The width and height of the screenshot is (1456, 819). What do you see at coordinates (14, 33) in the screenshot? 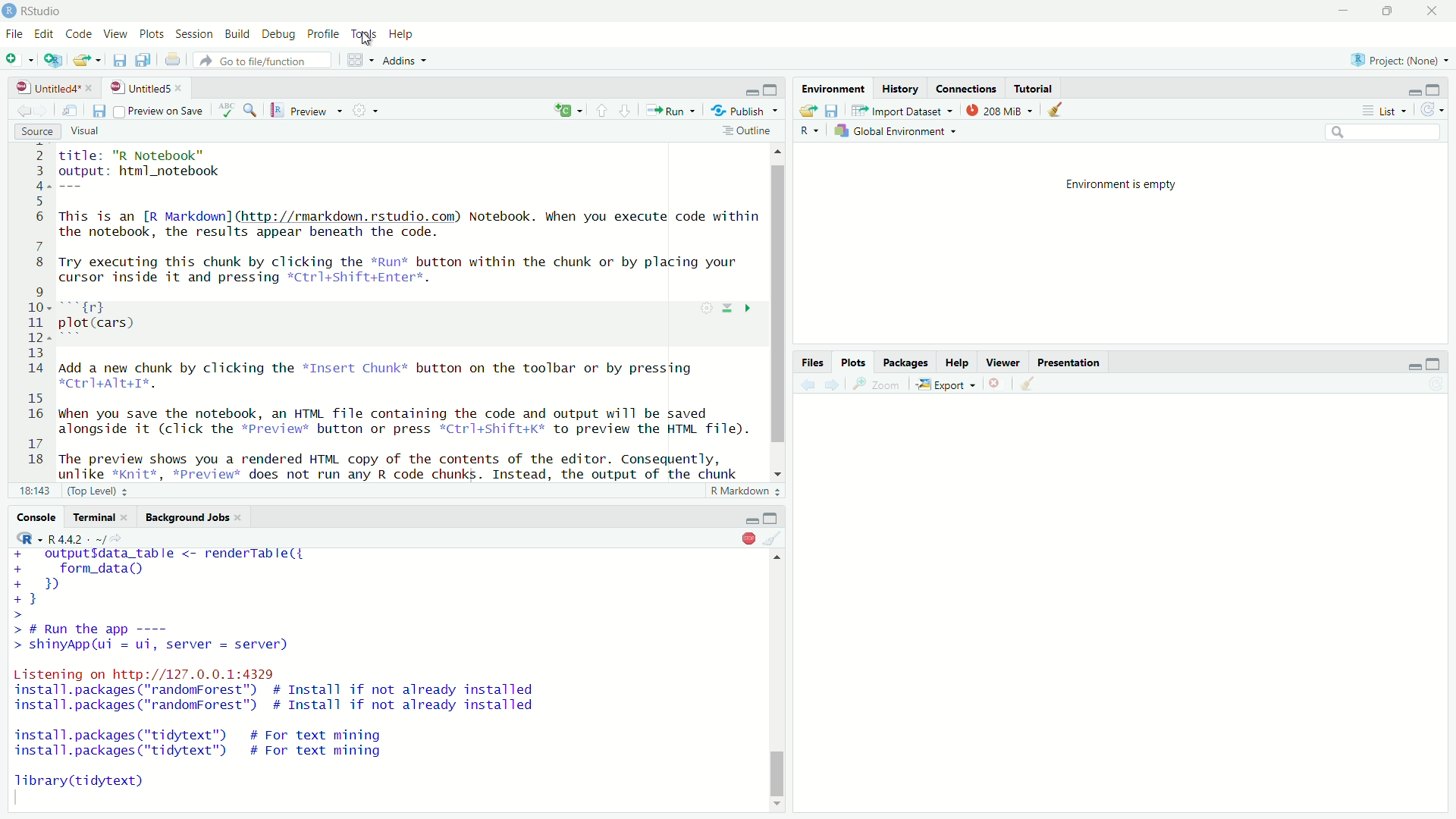
I see `File` at bounding box center [14, 33].